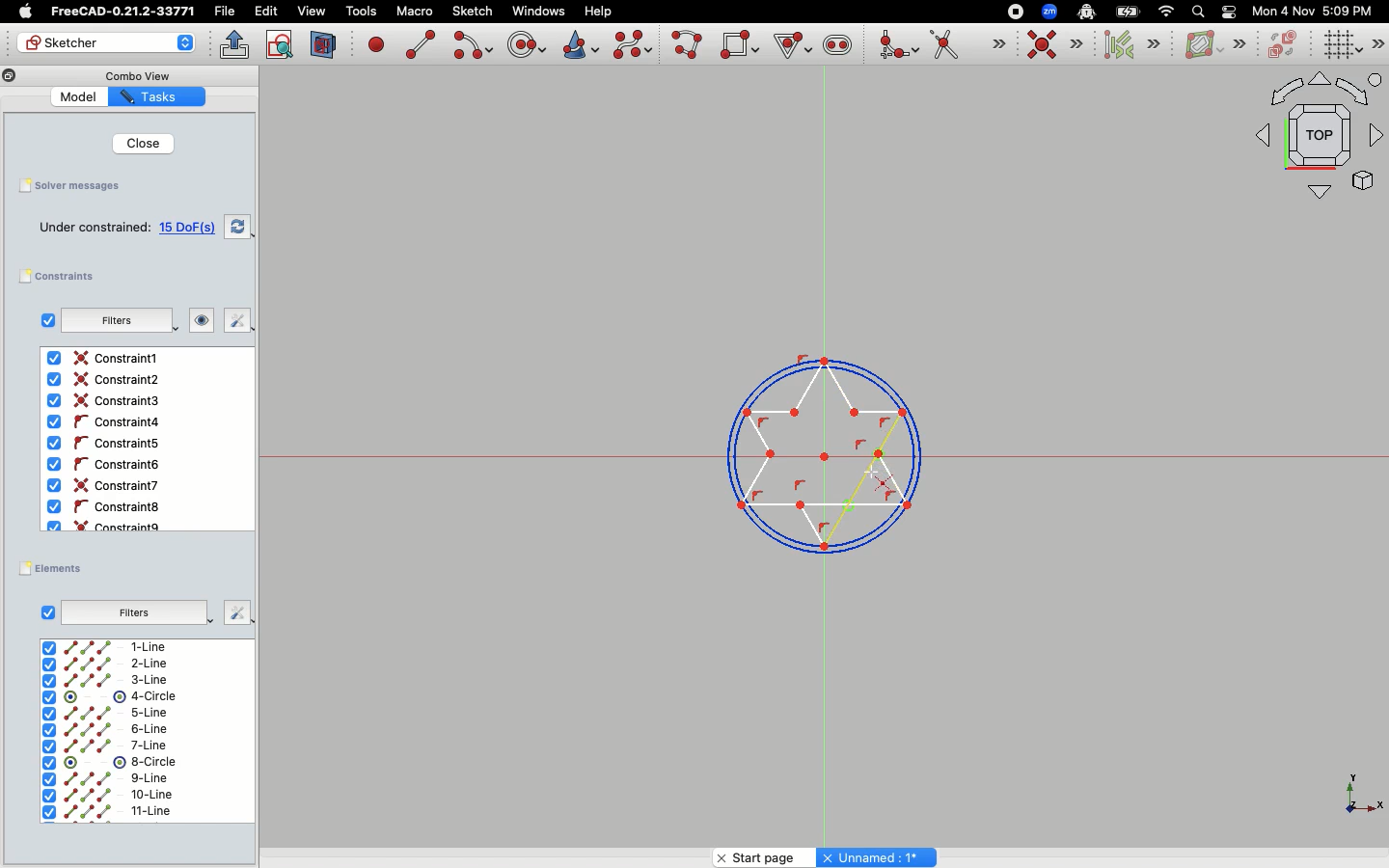 This screenshot has width=1389, height=868. What do you see at coordinates (877, 474) in the screenshot?
I see `Cursor` at bounding box center [877, 474].